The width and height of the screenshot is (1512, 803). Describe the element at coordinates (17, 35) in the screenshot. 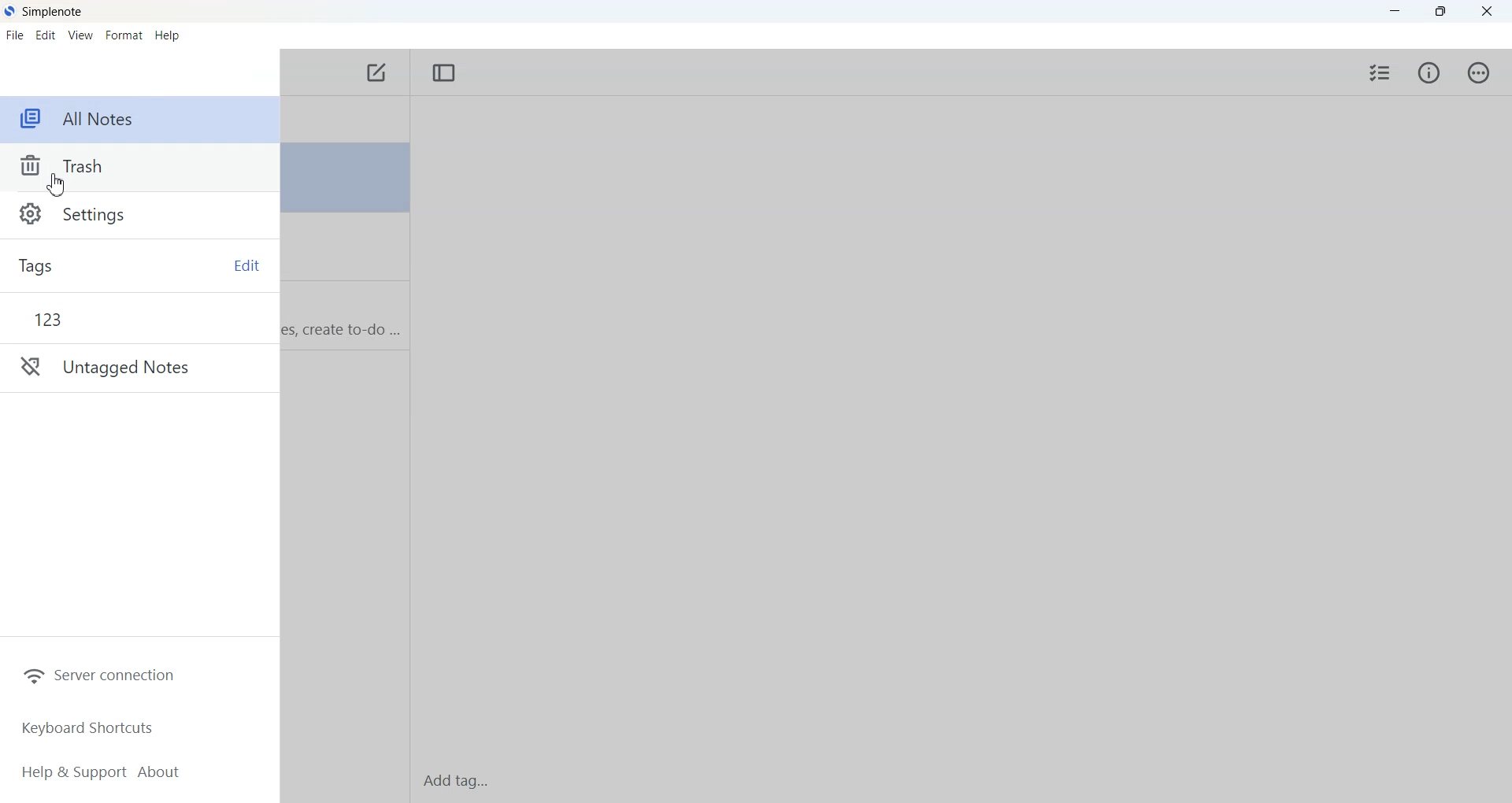

I see `File` at that location.